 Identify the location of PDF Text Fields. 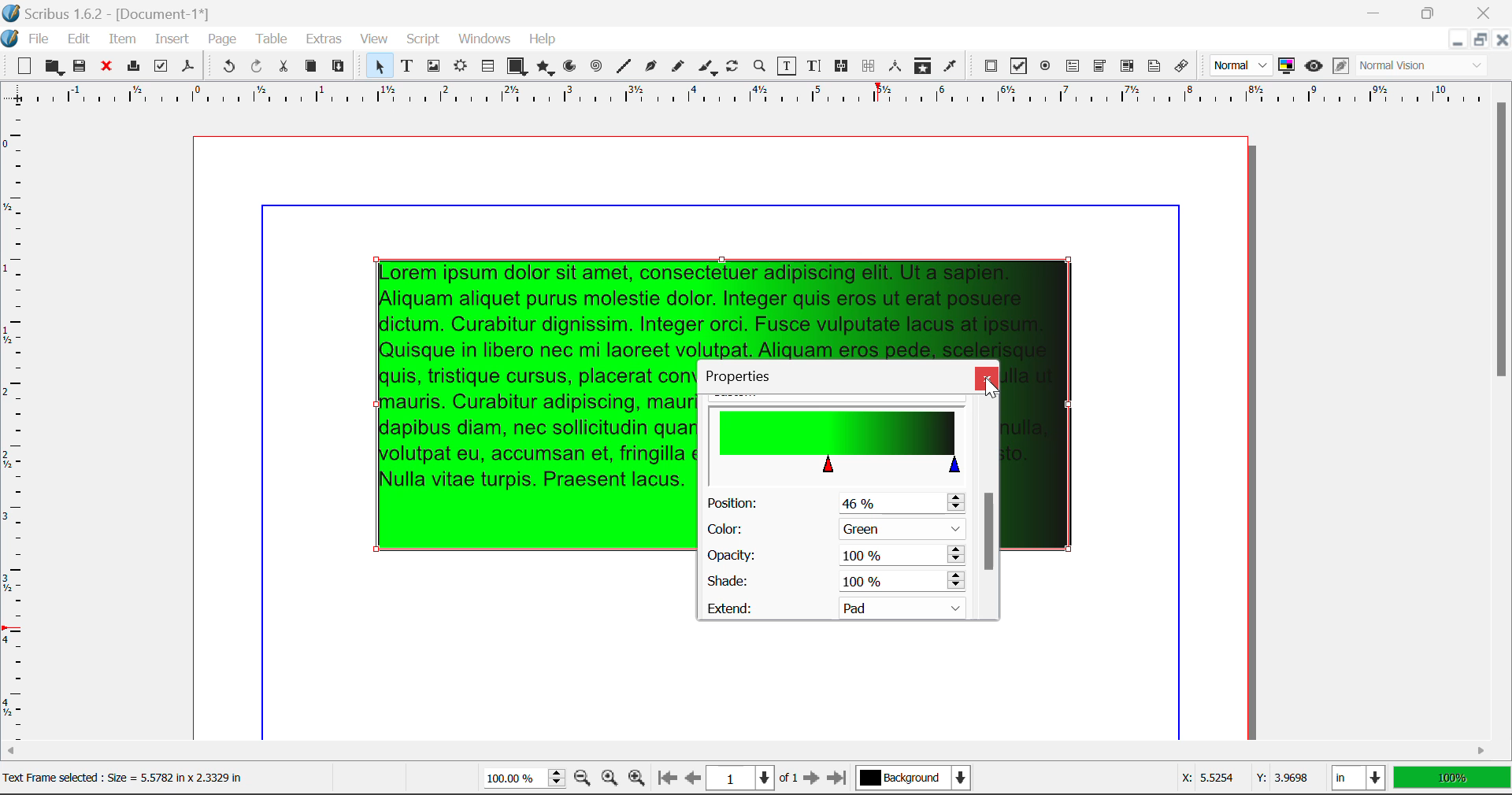
(1073, 66).